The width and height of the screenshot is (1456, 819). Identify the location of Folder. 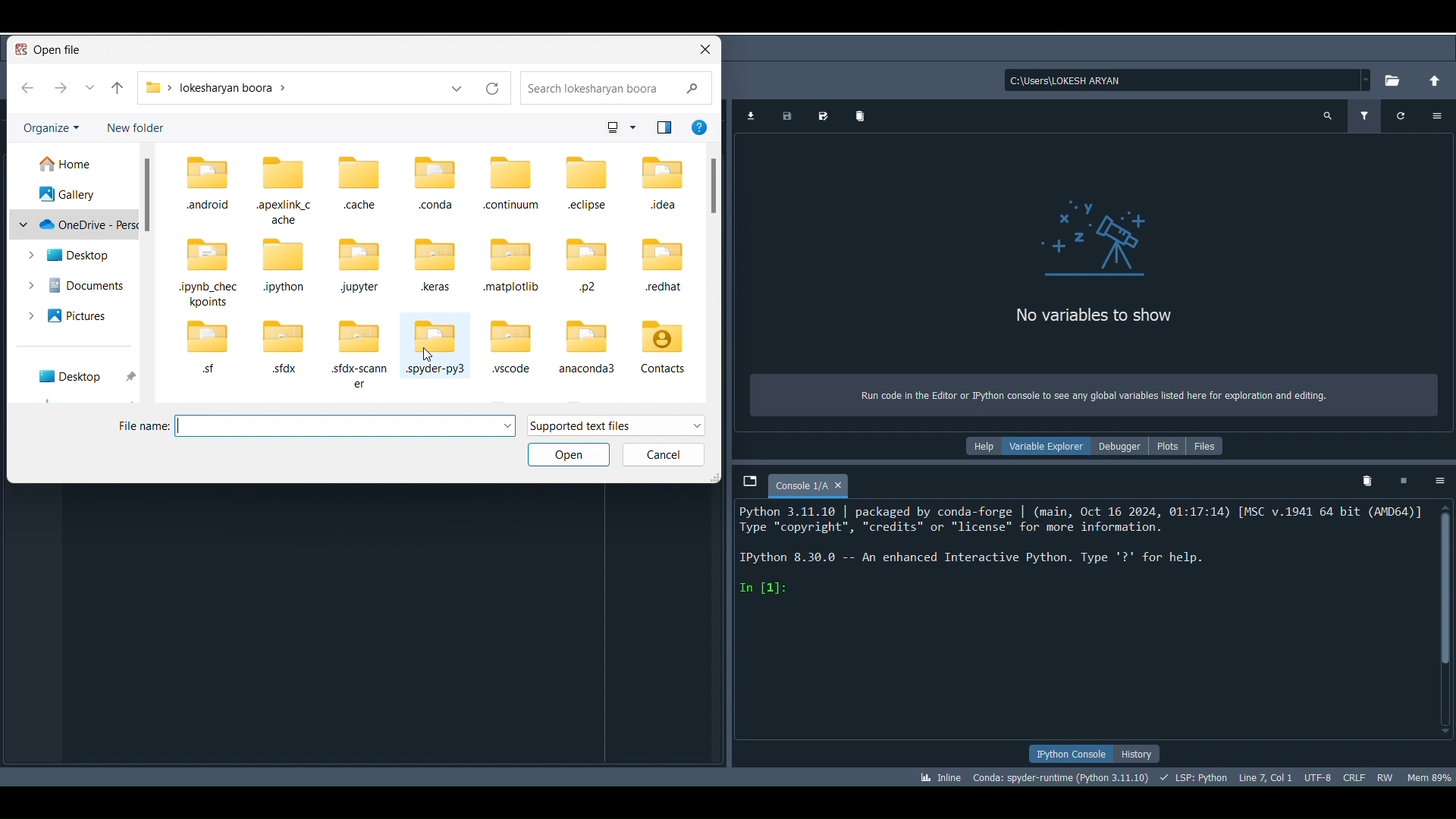
(585, 186).